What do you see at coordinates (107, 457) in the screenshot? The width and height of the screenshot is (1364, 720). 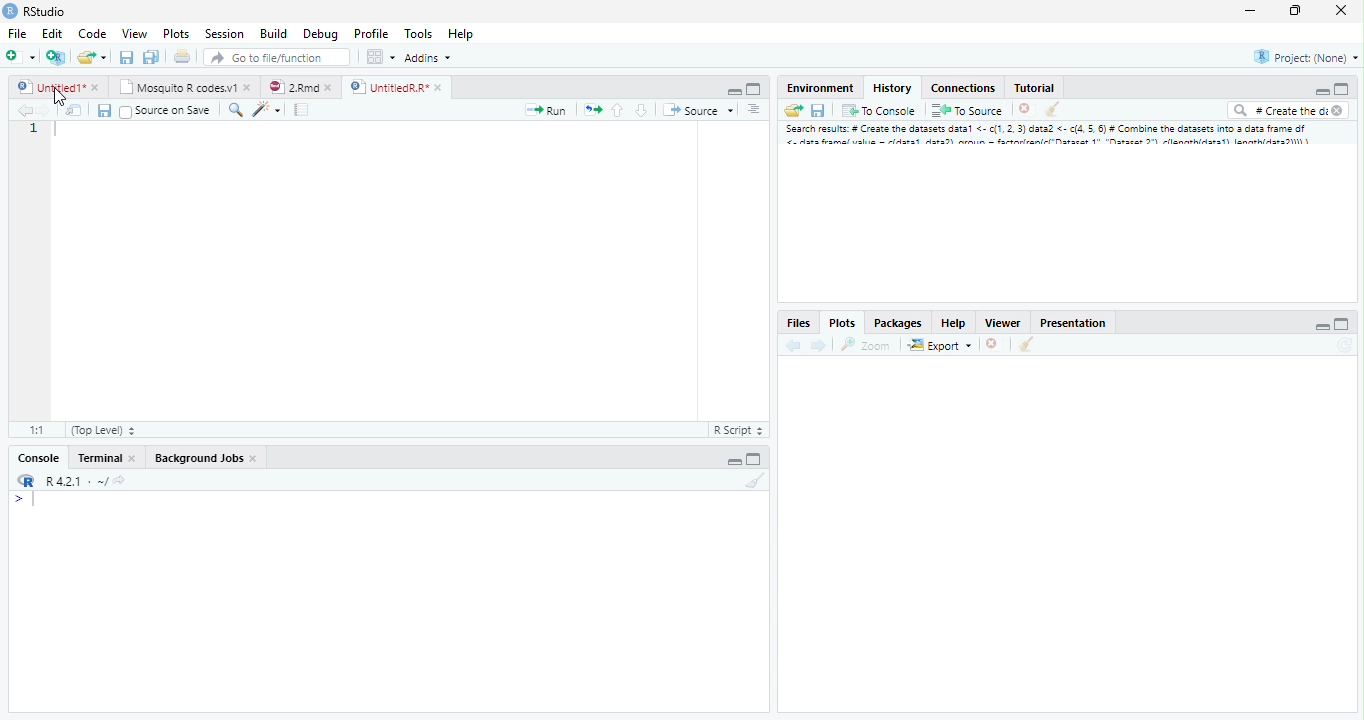 I see `Terminal` at bounding box center [107, 457].